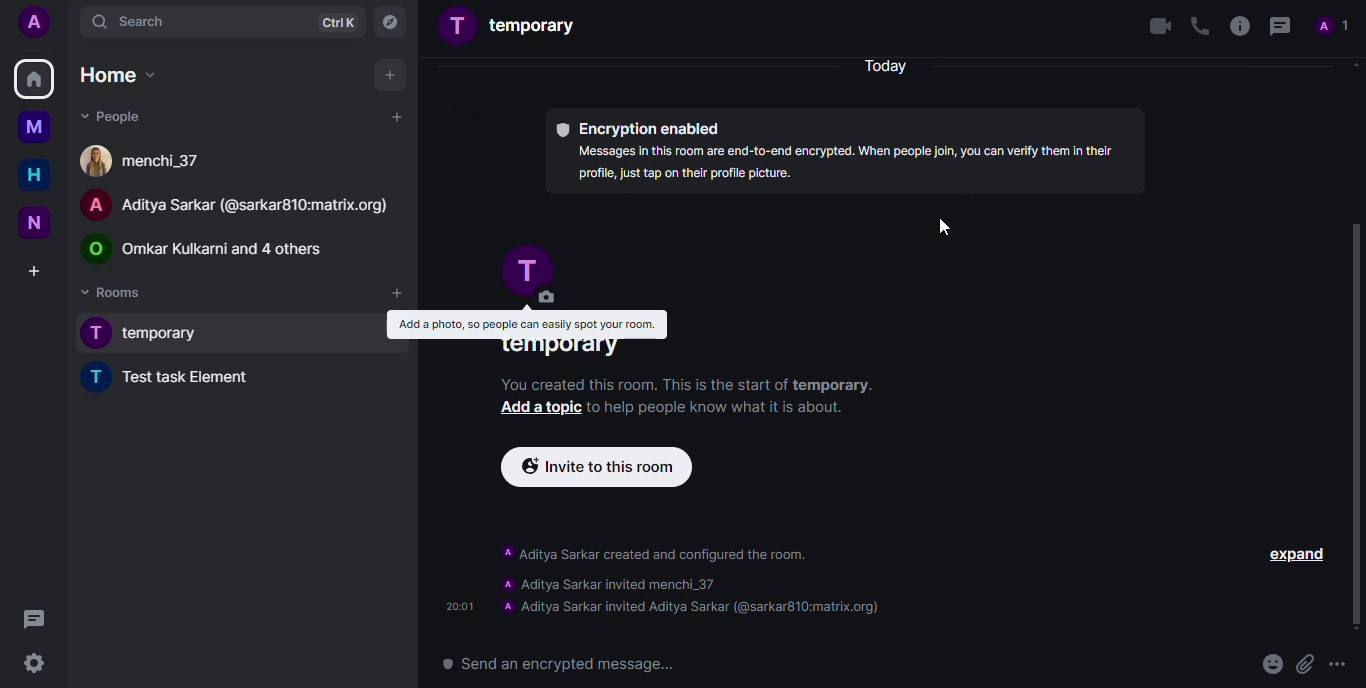  Describe the element at coordinates (34, 663) in the screenshot. I see `settings` at that location.